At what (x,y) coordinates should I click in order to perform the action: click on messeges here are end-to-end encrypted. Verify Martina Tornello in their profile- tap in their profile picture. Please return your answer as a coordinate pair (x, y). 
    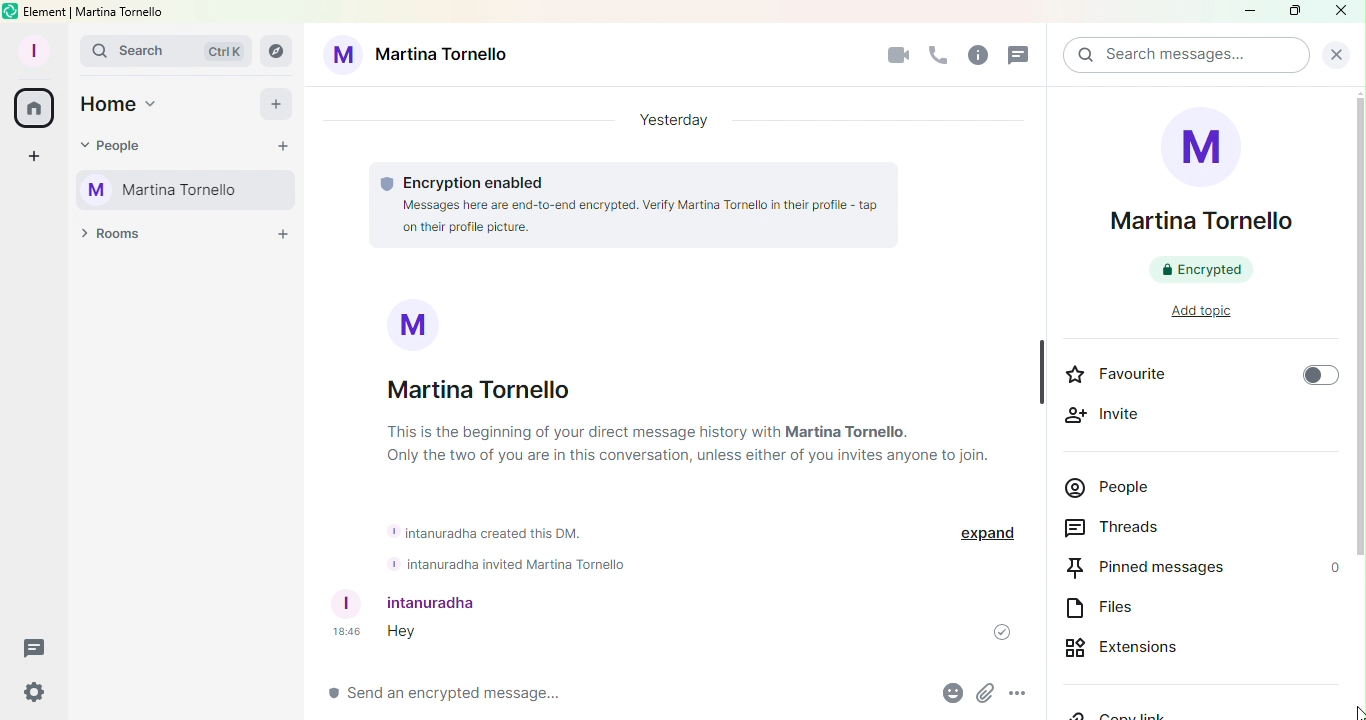
    Looking at the image, I should click on (630, 217).